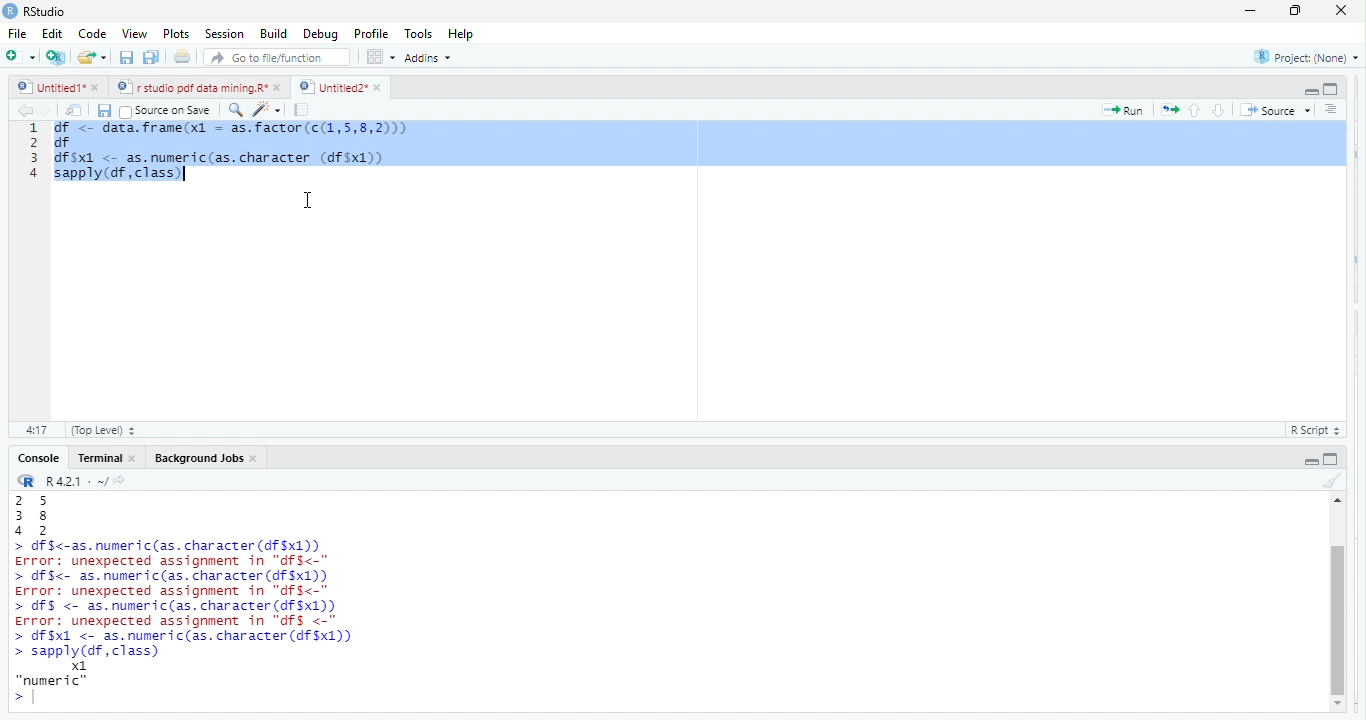  What do you see at coordinates (328, 88) in the screenshot?
I see `Untitied2` at bounding box center [328, 88].